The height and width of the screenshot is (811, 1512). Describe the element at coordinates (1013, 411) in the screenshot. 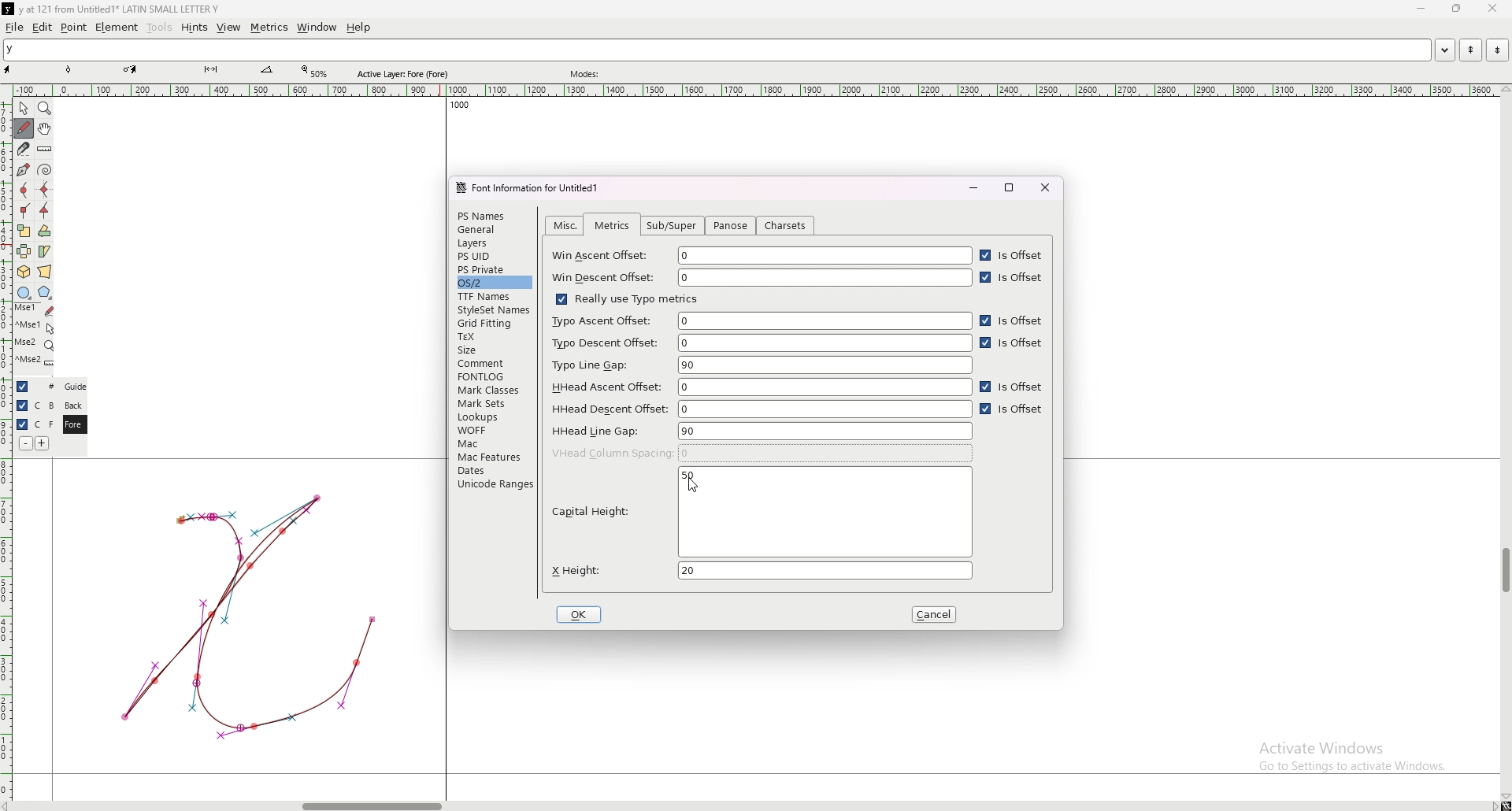

I see `is offset` at that location.